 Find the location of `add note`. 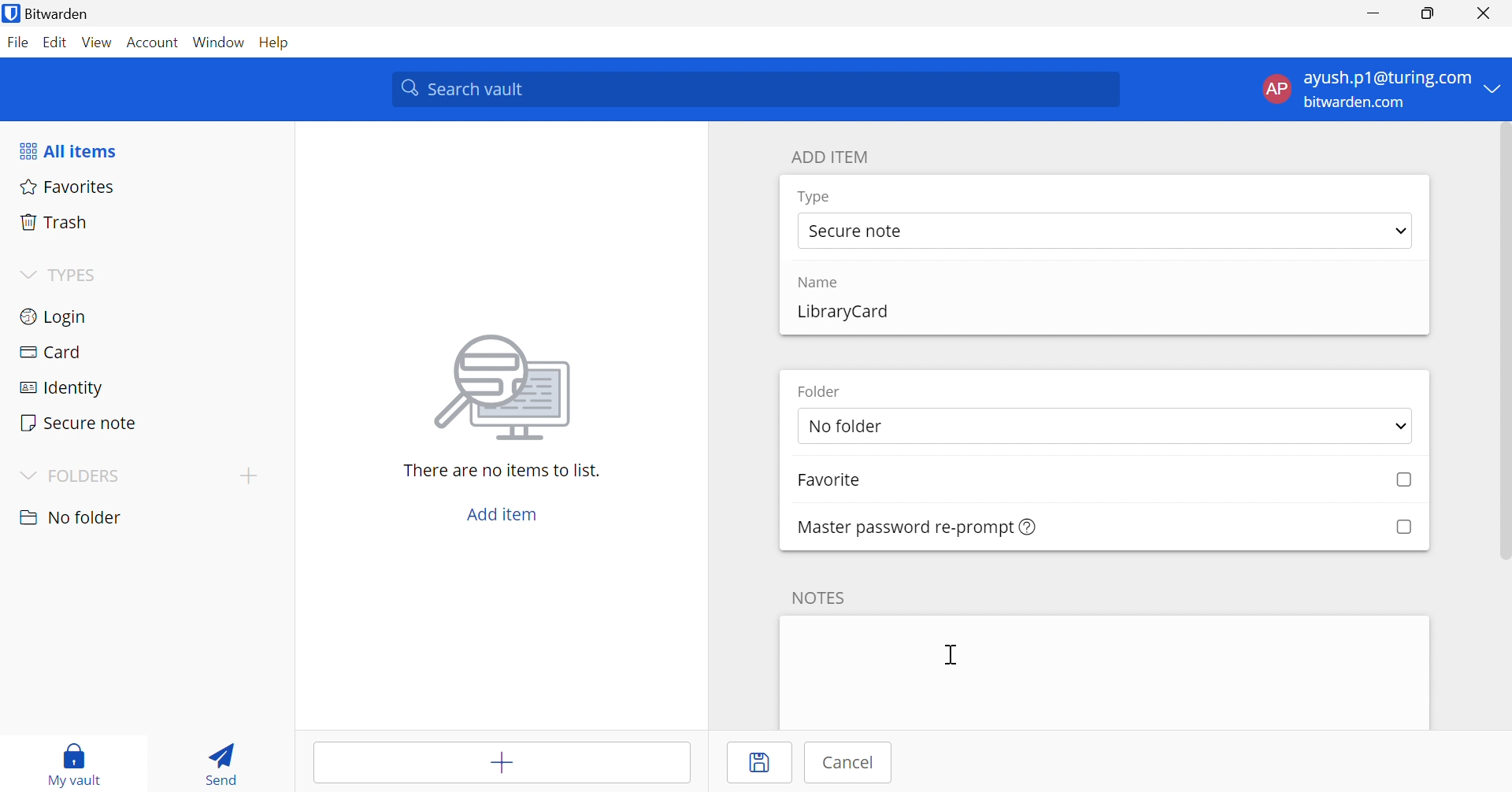

add note is located at coordinates (1104, 672).